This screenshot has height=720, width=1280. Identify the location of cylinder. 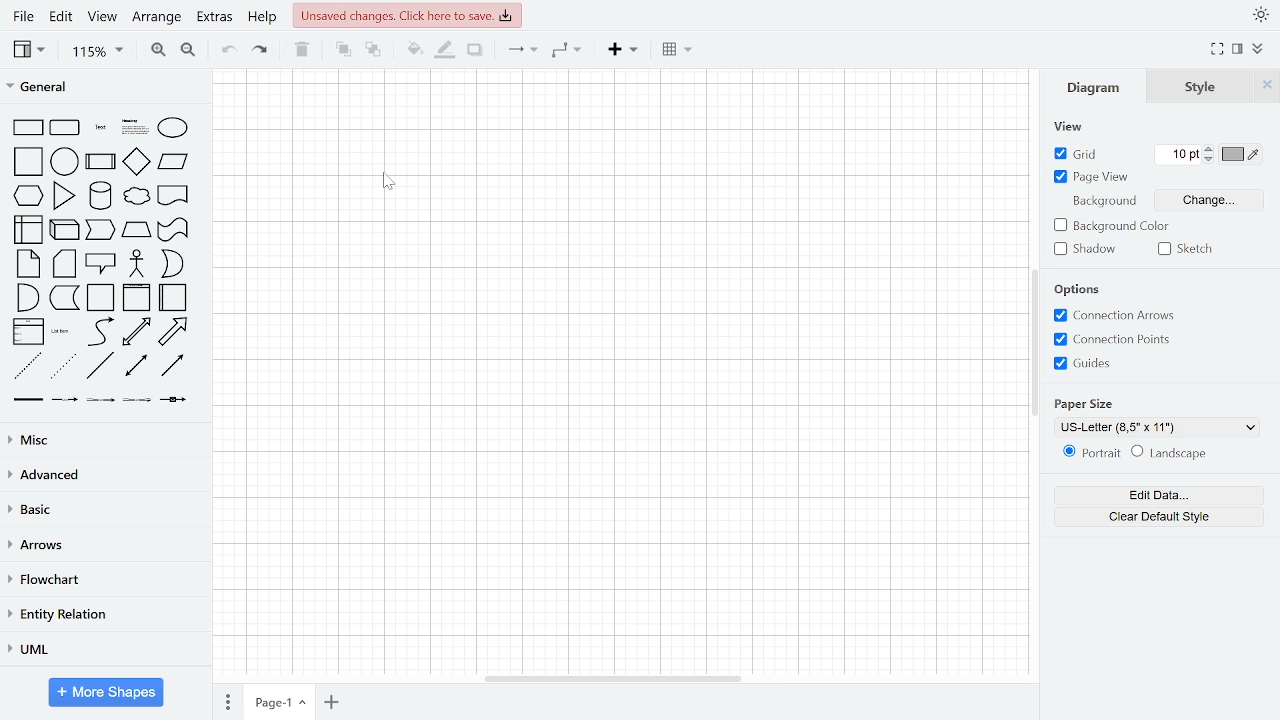
(101, 196).